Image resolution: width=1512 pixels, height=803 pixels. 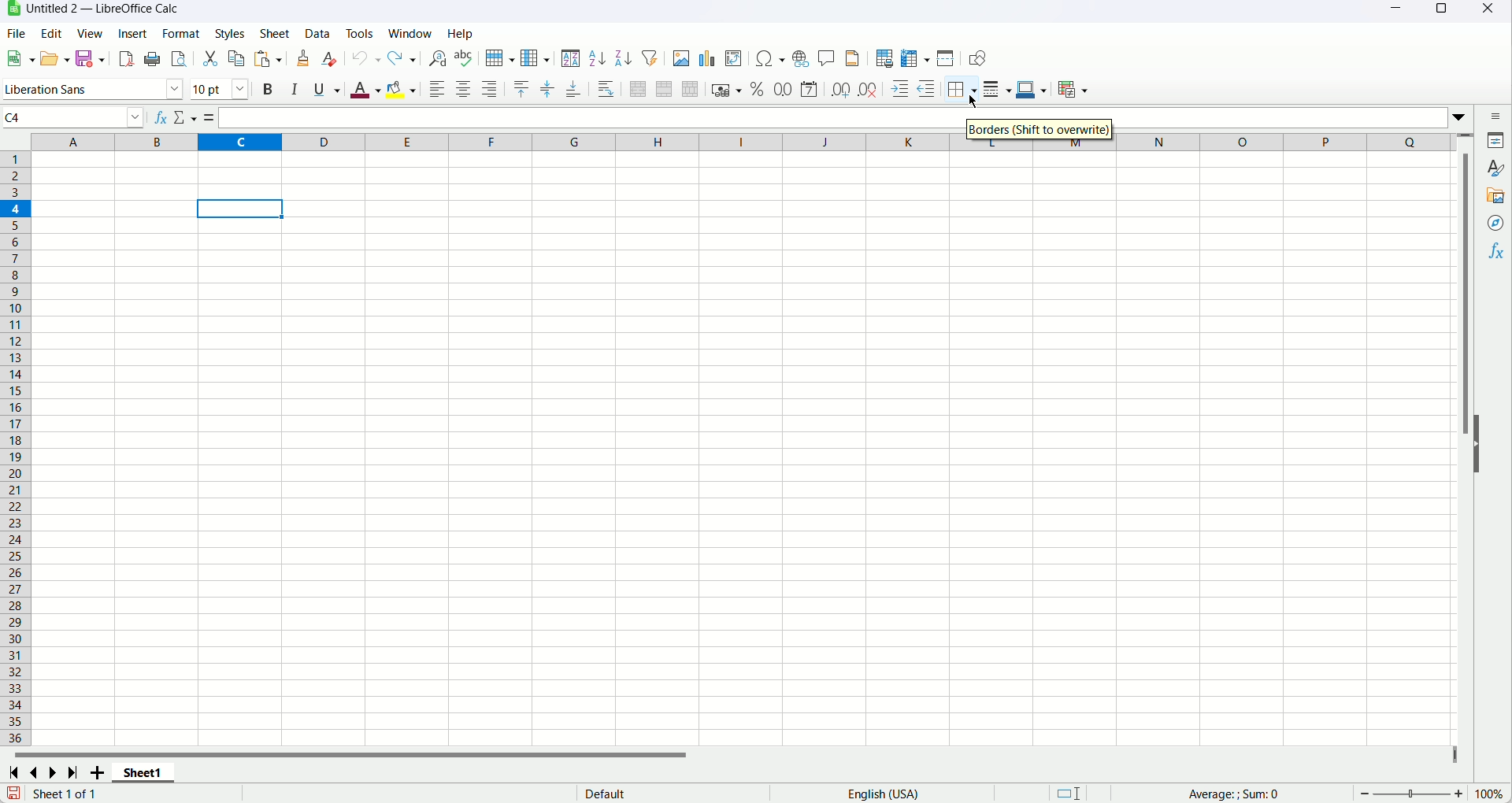 What do you see at coordinates (155, 59) in the screenshot?
I see `Print` at bounding box center [155, 59].